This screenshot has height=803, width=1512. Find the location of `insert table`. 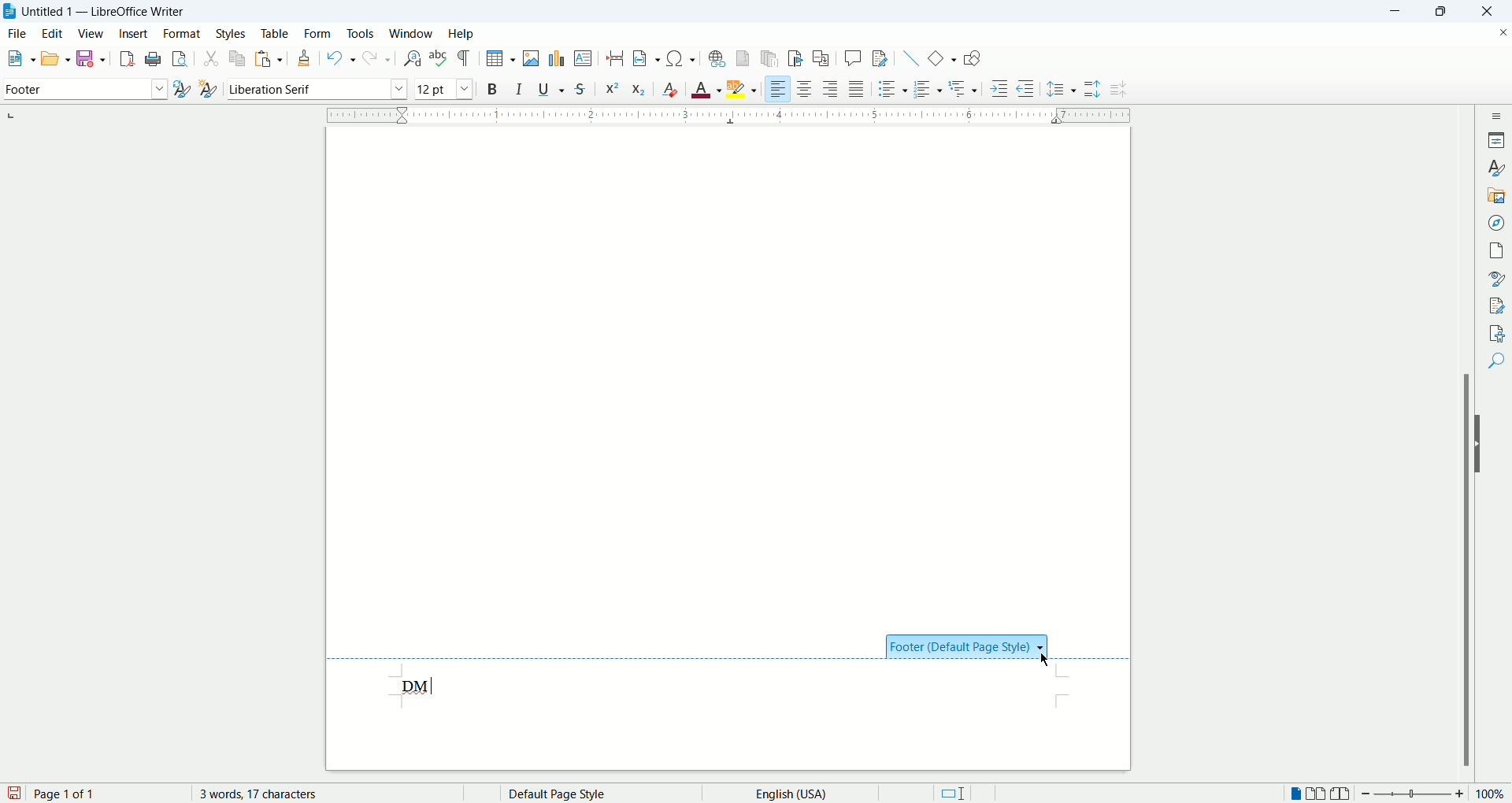

insert table is located at coordinates (501, 59).